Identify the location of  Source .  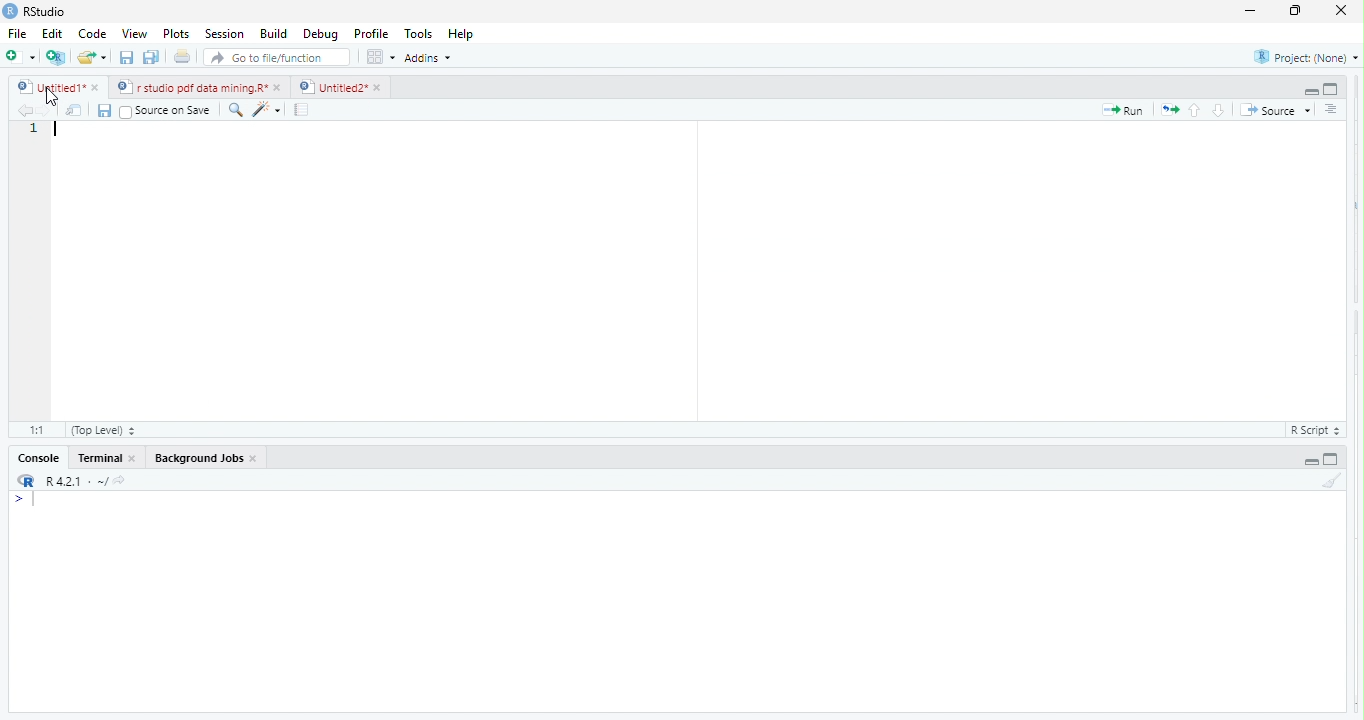
(1276, 112).